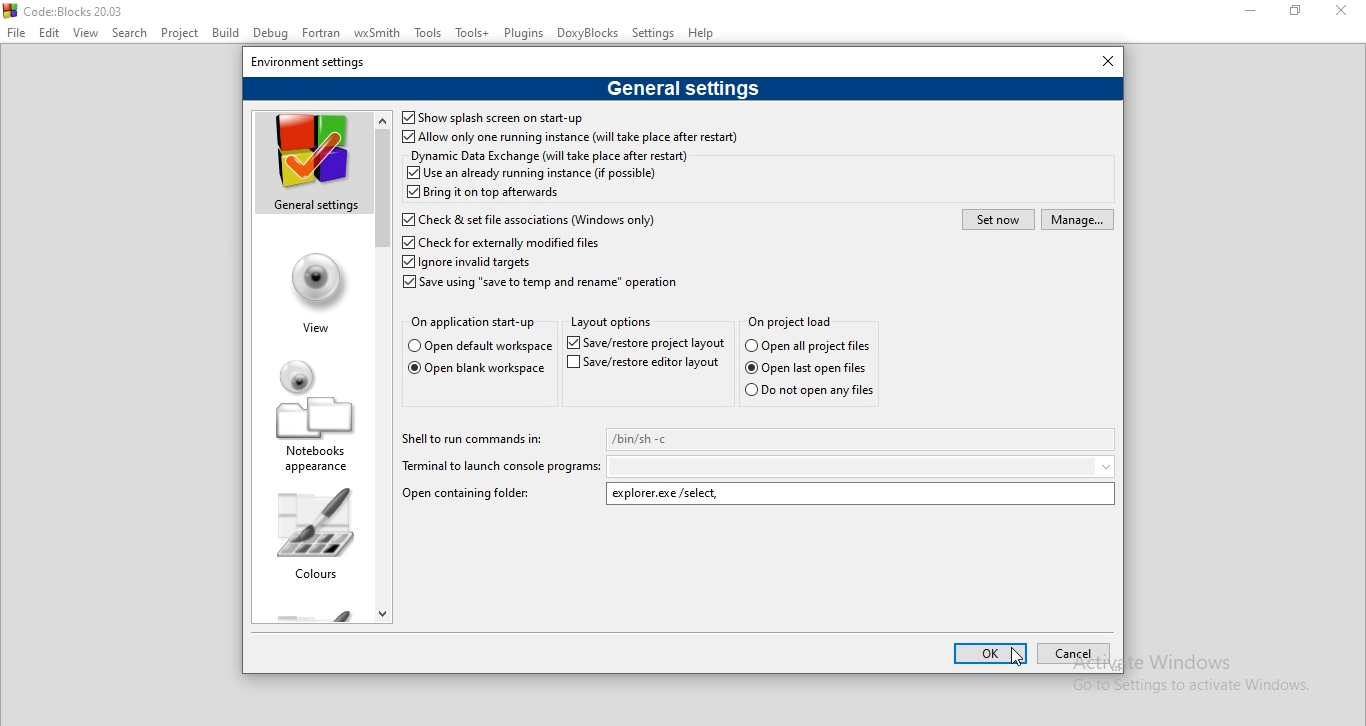 The image size is (1366, 726). Describe the element at coordinates (473, 322) in the screenshot. I see `On application start-up` at that location.